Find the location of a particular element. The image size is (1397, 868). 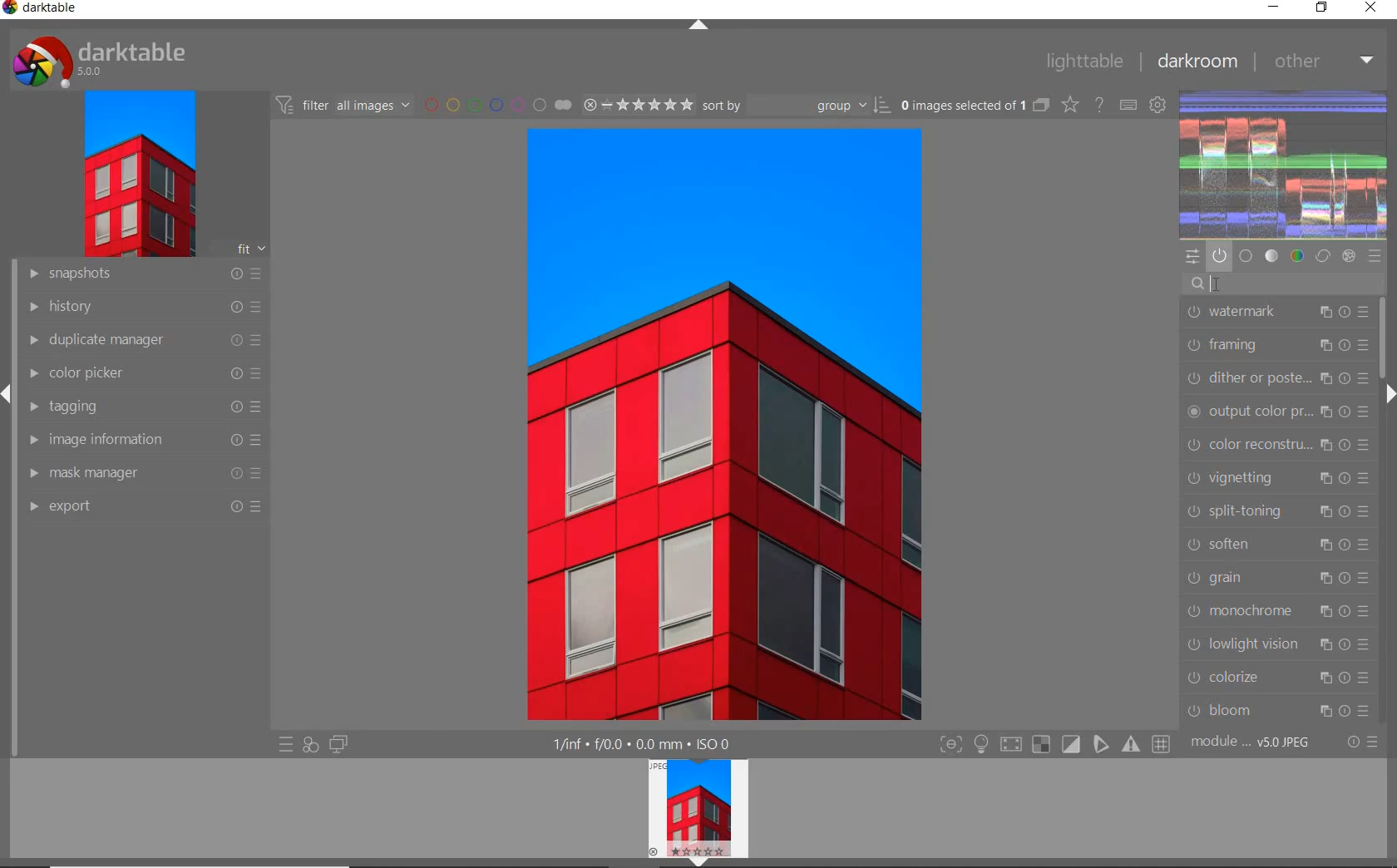

grain is located at coordinates (1279, 576).